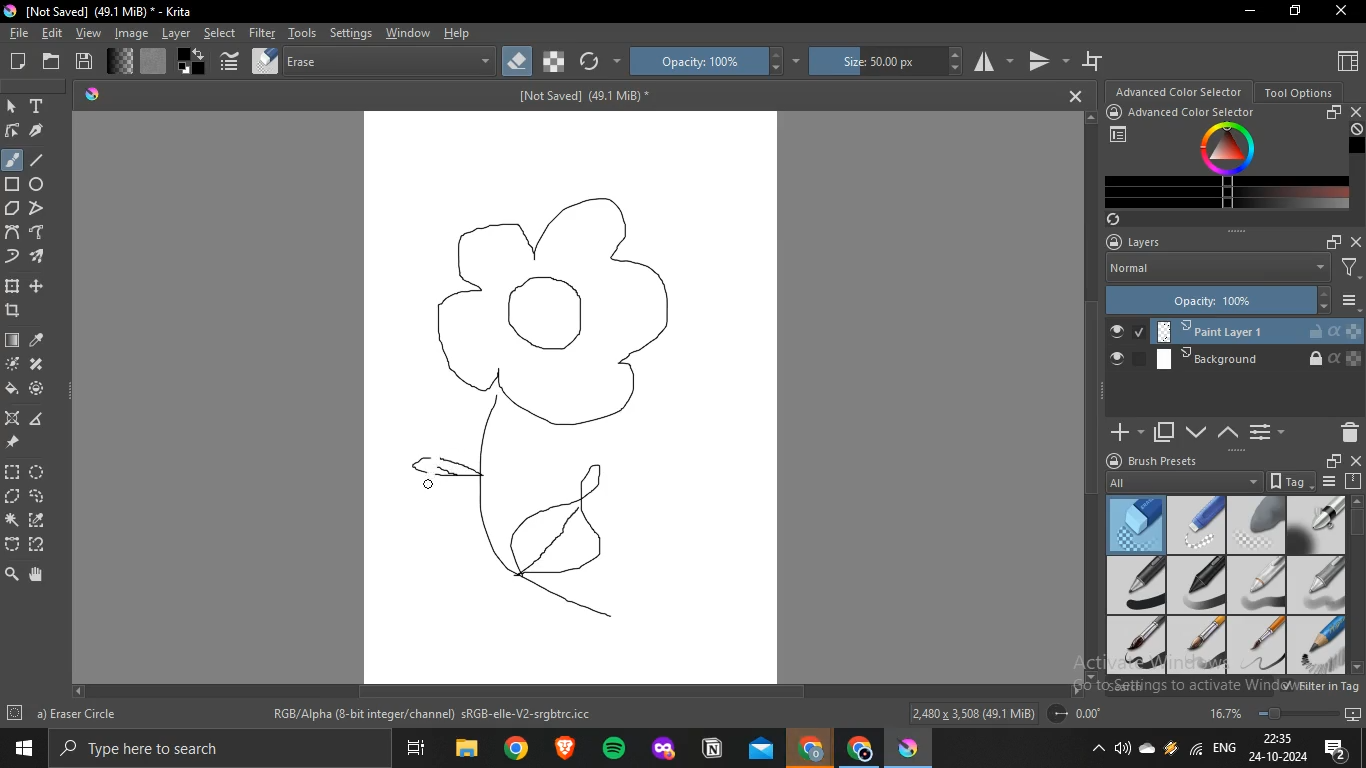 The width and height of the screenshot is (1366, 768). I want to click on airbrush soft, so click(1318, 524).